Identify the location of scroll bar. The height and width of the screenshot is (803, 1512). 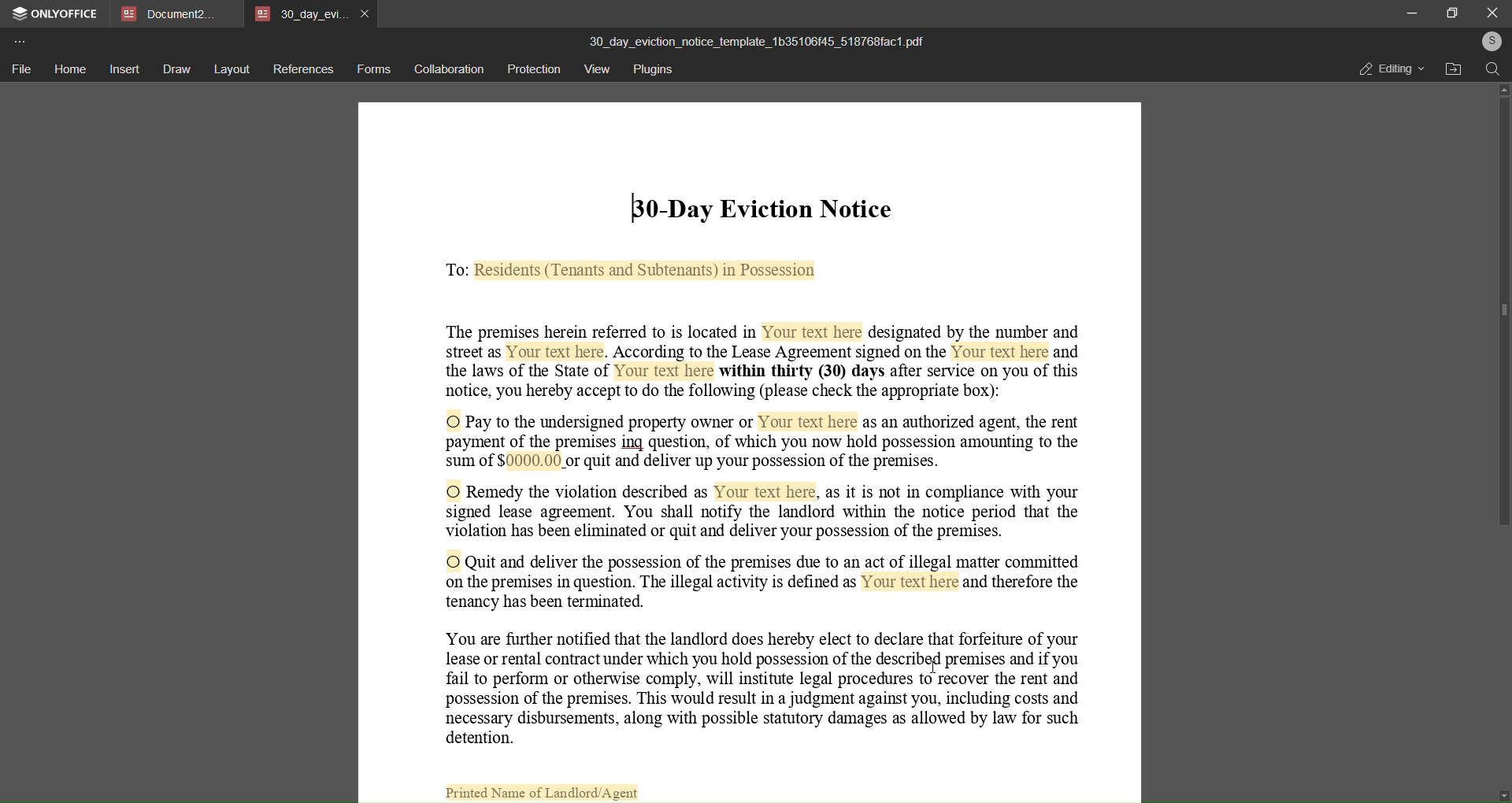
(1505, 328).